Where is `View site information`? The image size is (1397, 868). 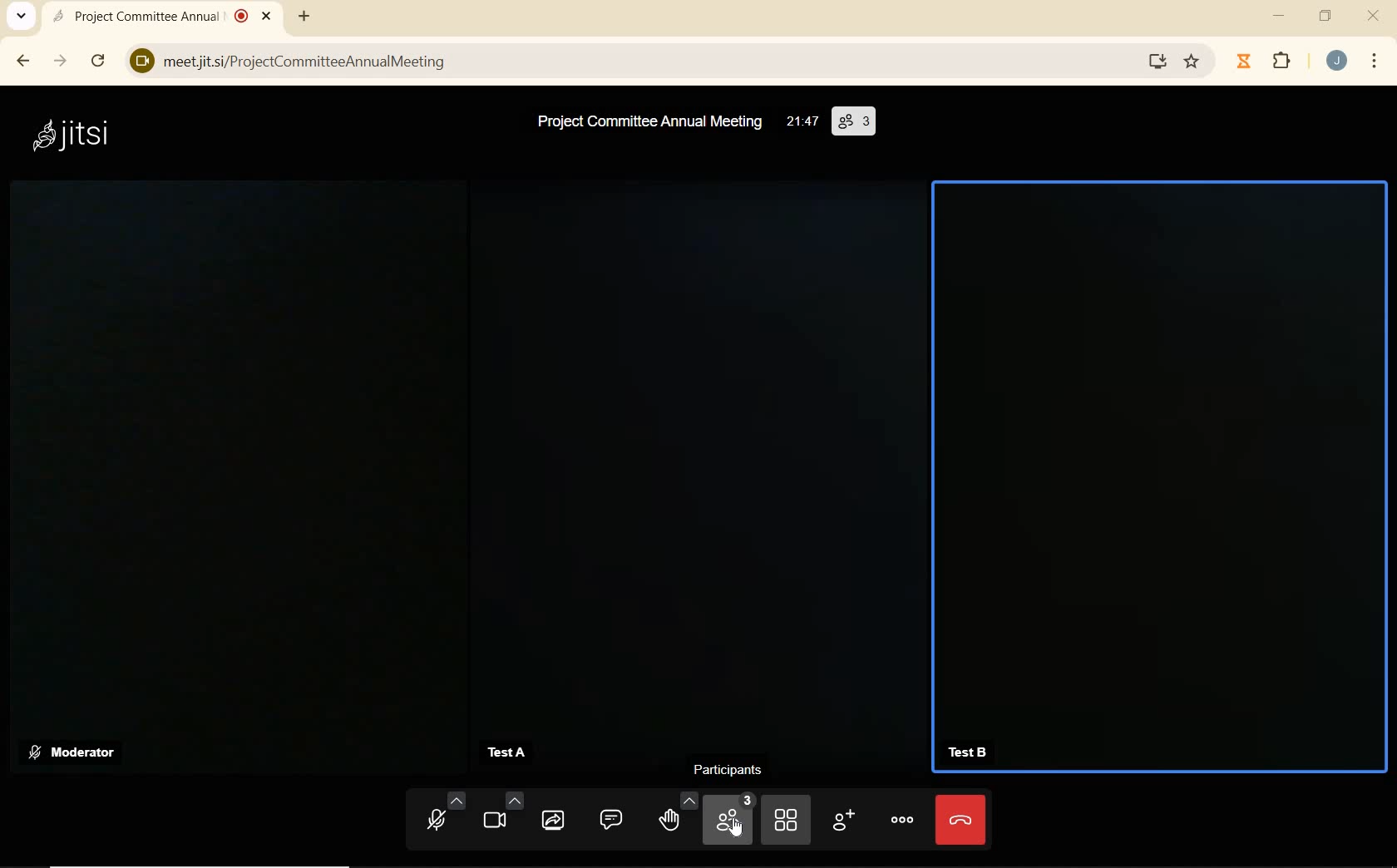
View site information is located at coordinates (136, 60).